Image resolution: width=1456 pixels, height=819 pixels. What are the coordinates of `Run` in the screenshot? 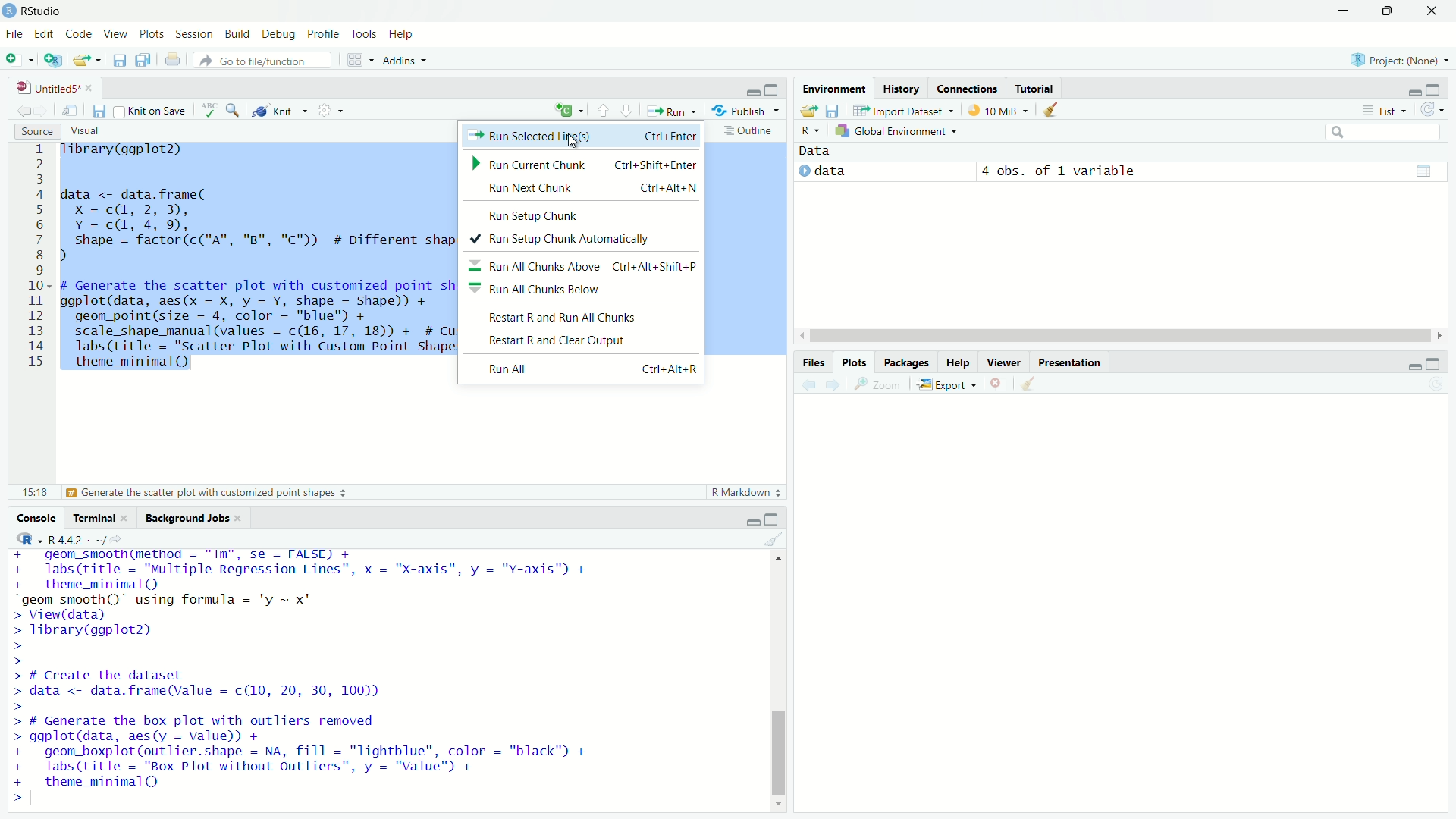 It's located at (672, 111).